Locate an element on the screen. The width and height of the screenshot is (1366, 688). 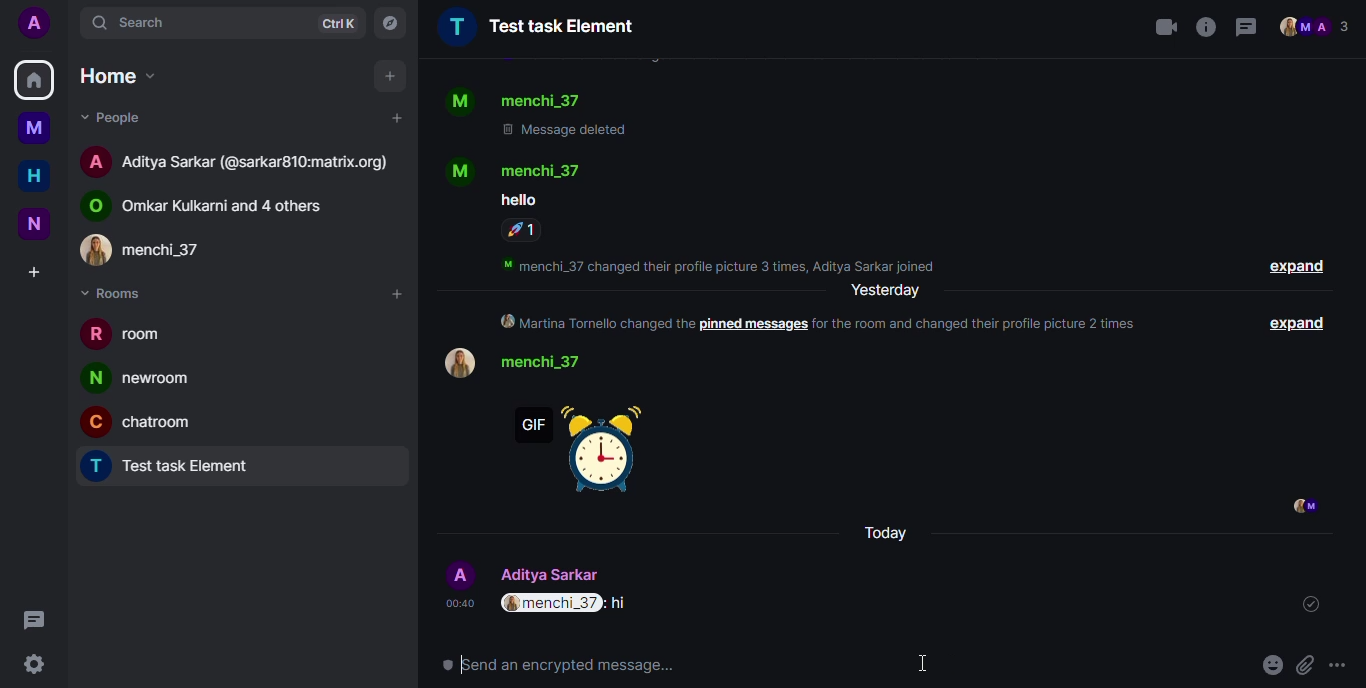
seen is located at coordinates (1307, 504).